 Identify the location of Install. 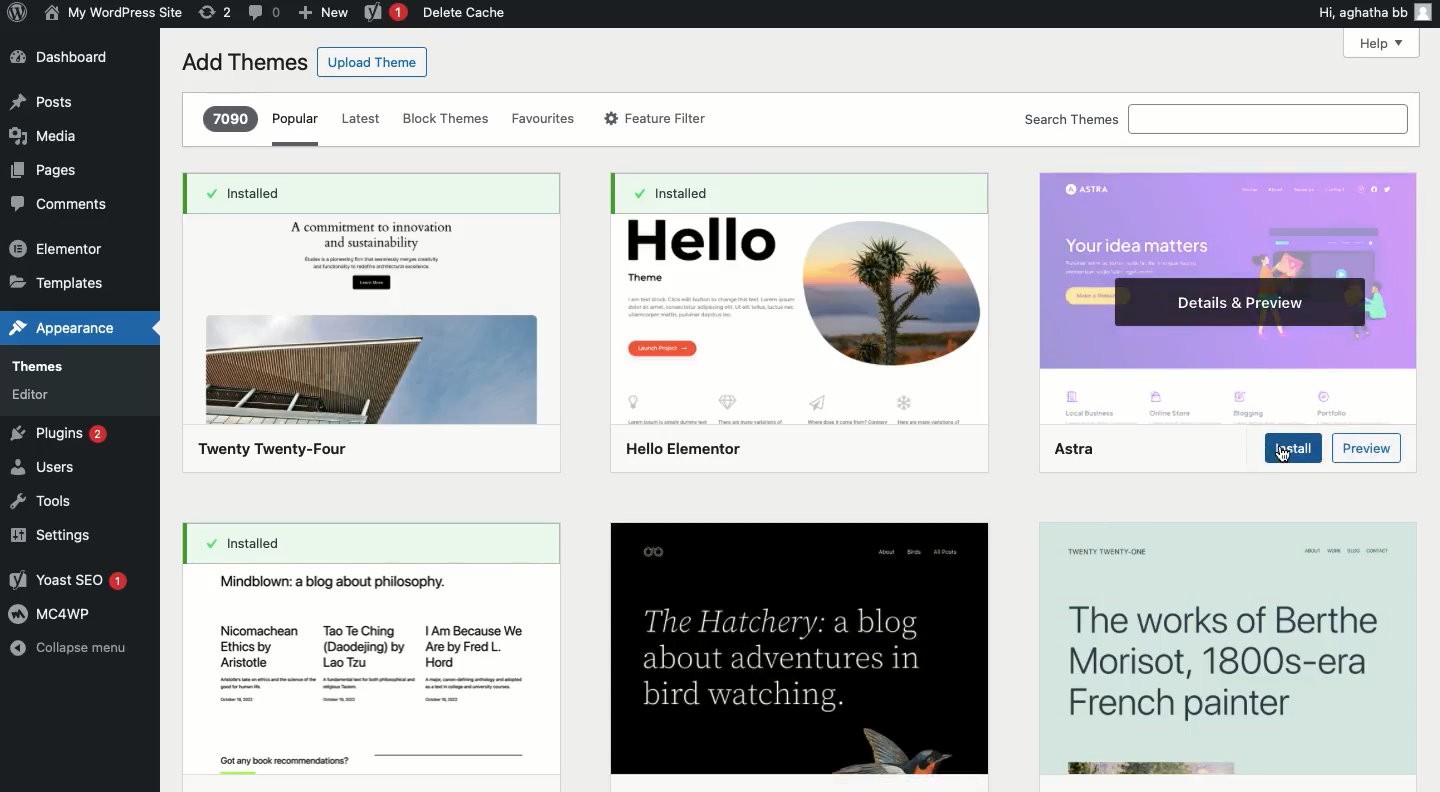
(1292, 450).